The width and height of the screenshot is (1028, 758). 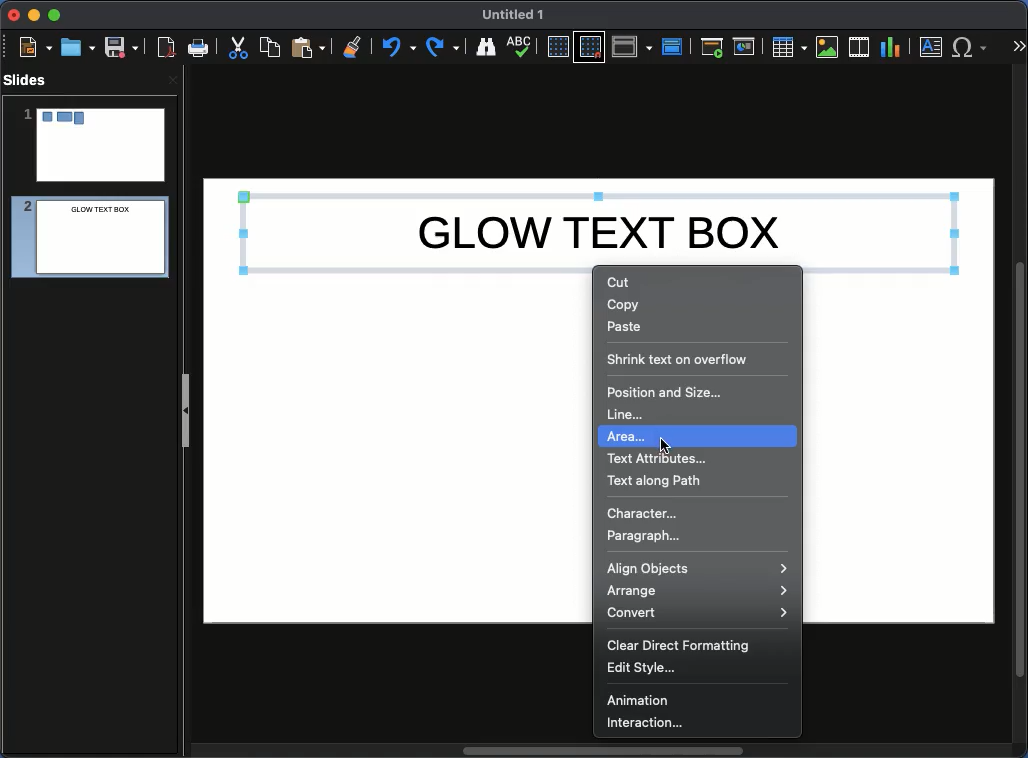 What do you see at coordinates (646, 700) in the screenshot?
I see `Animation` at bounding box center [646, 700].